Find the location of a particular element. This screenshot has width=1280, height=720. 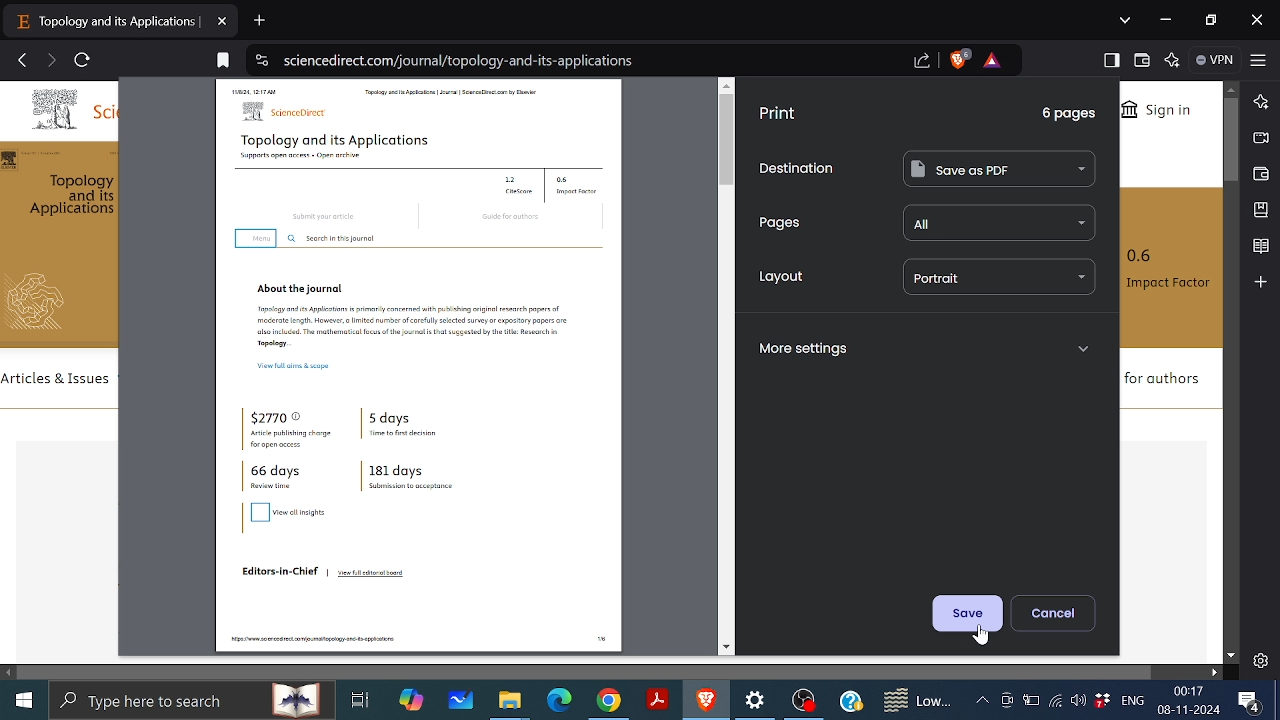

View full aims & scope is located at coordinates (302, 367).